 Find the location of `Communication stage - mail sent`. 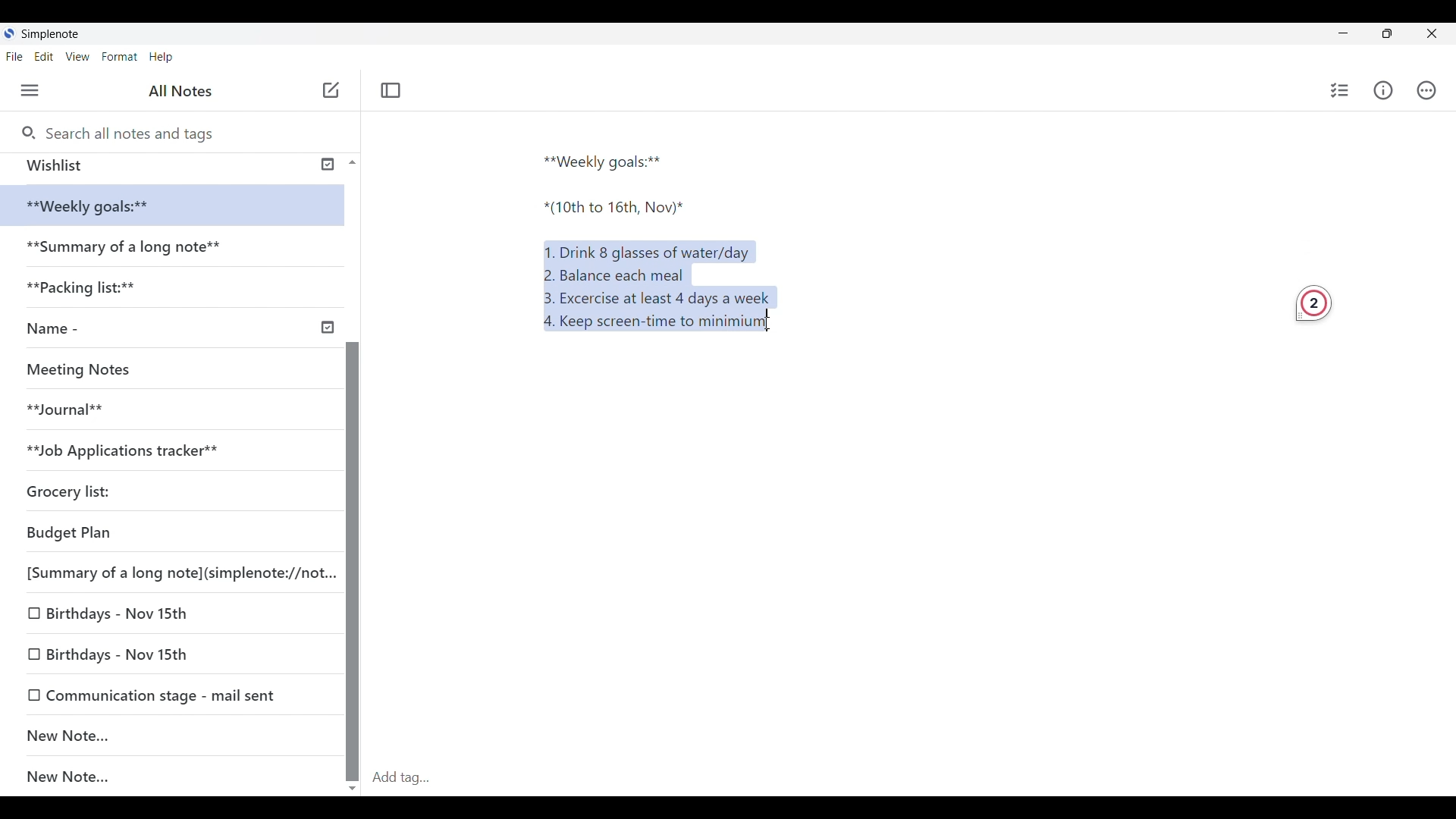

Communication stage - mail sent is located at coordinates (172, 695).